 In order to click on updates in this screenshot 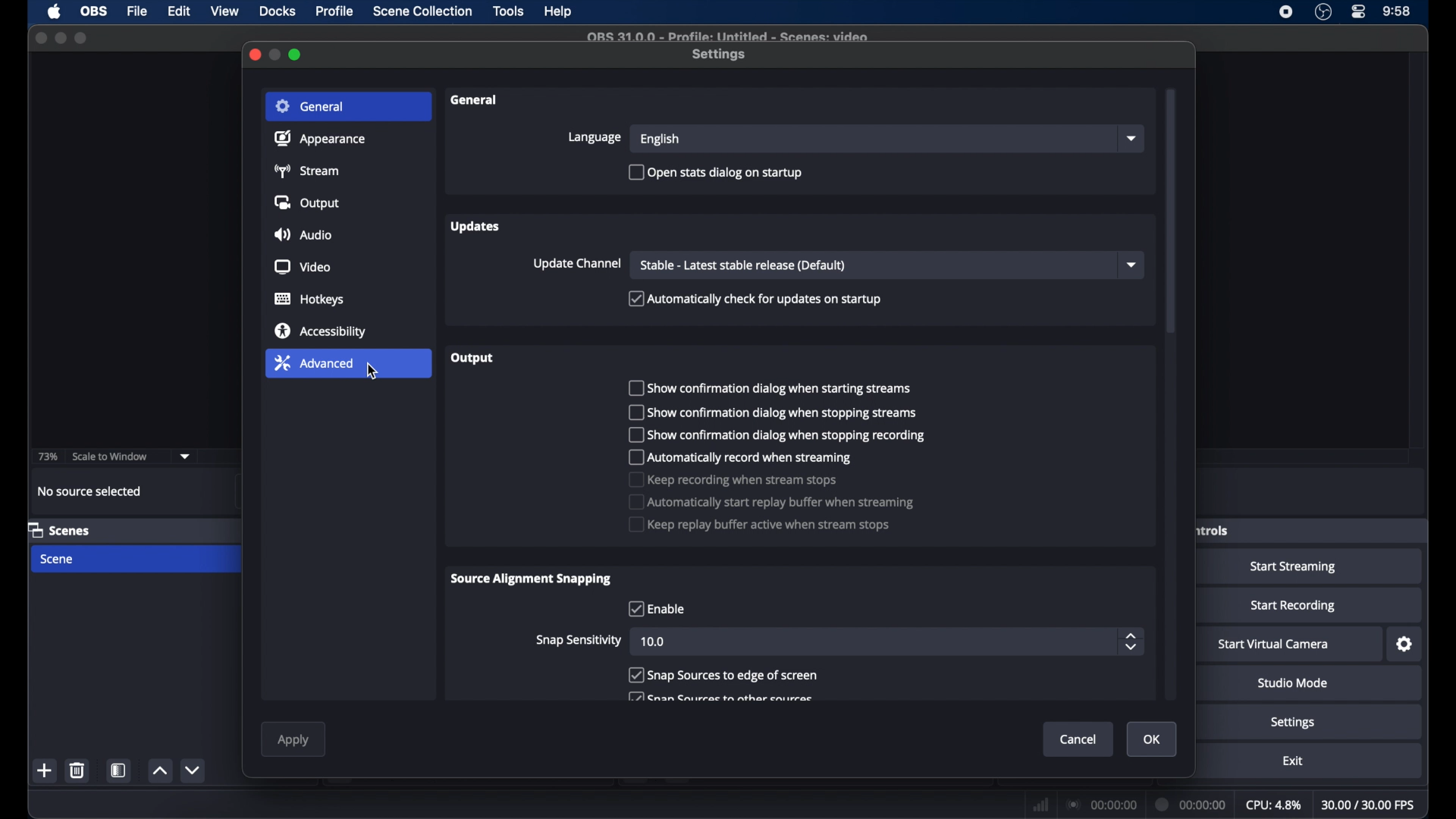, I will do `click(477, 227)`.